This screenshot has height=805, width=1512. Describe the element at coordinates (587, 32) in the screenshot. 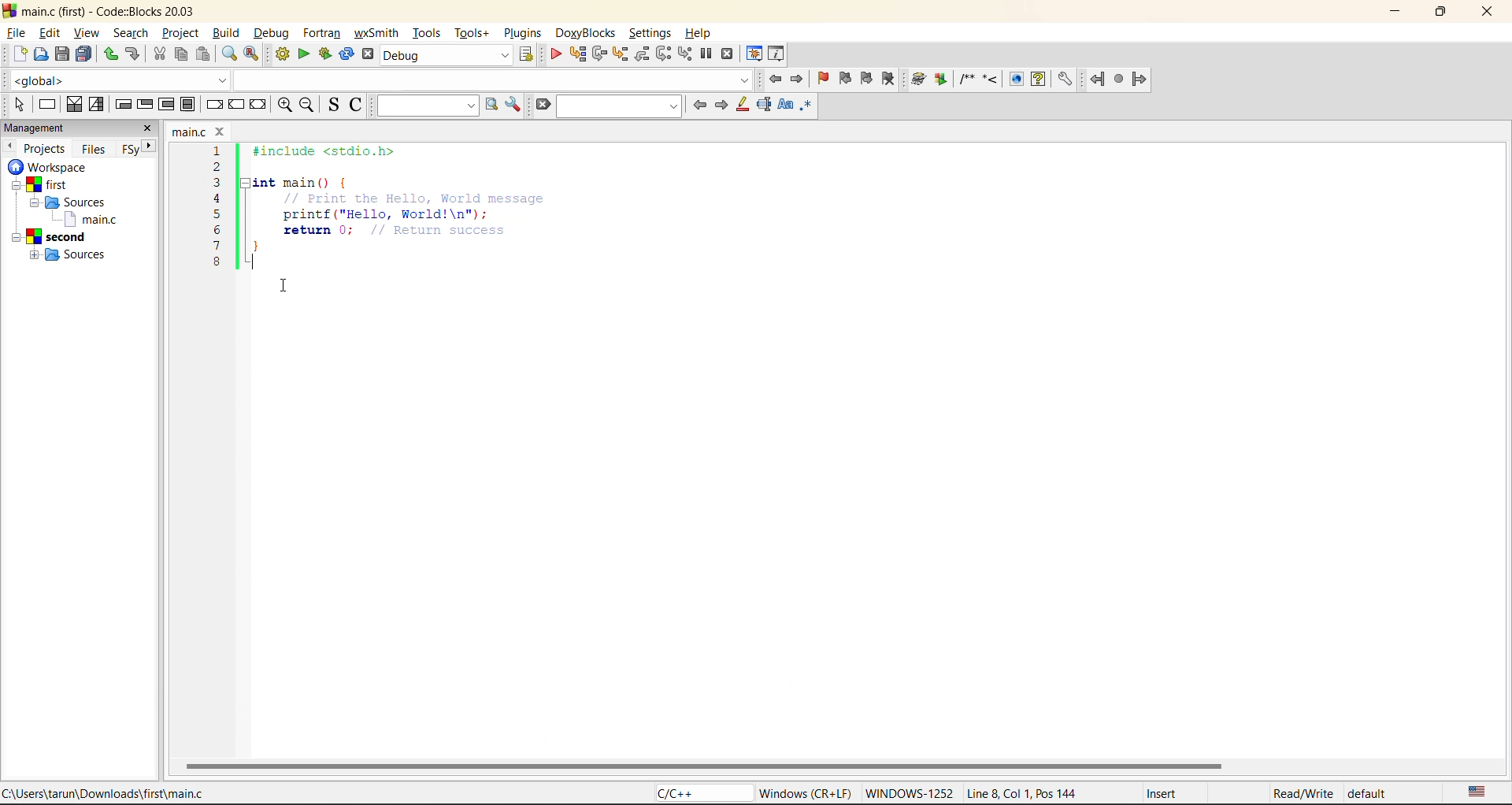

I see `doxyblocks` at that location.